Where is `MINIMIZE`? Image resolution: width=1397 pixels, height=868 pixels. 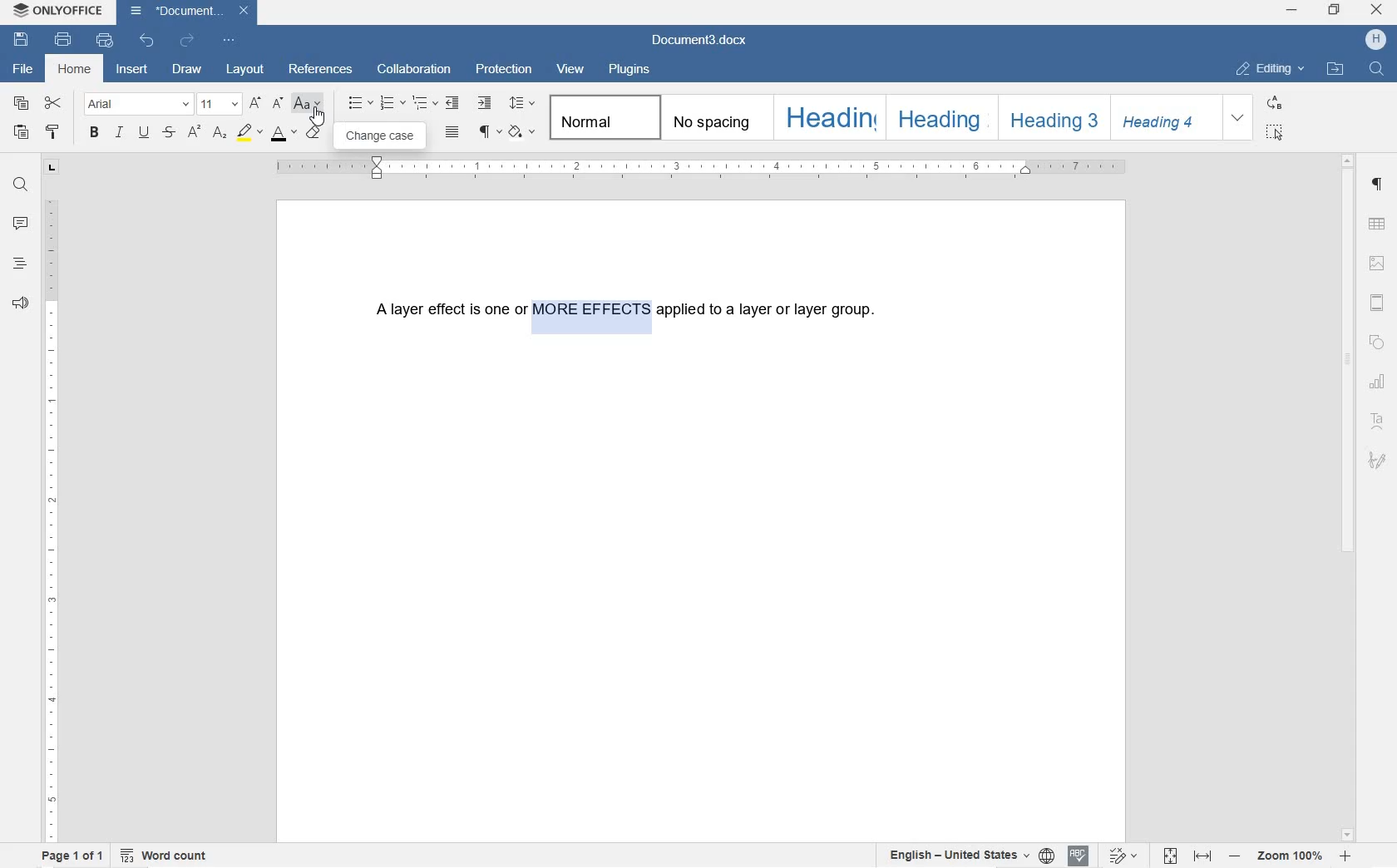
MINIMIZE is located at coordinates (1294, 11).